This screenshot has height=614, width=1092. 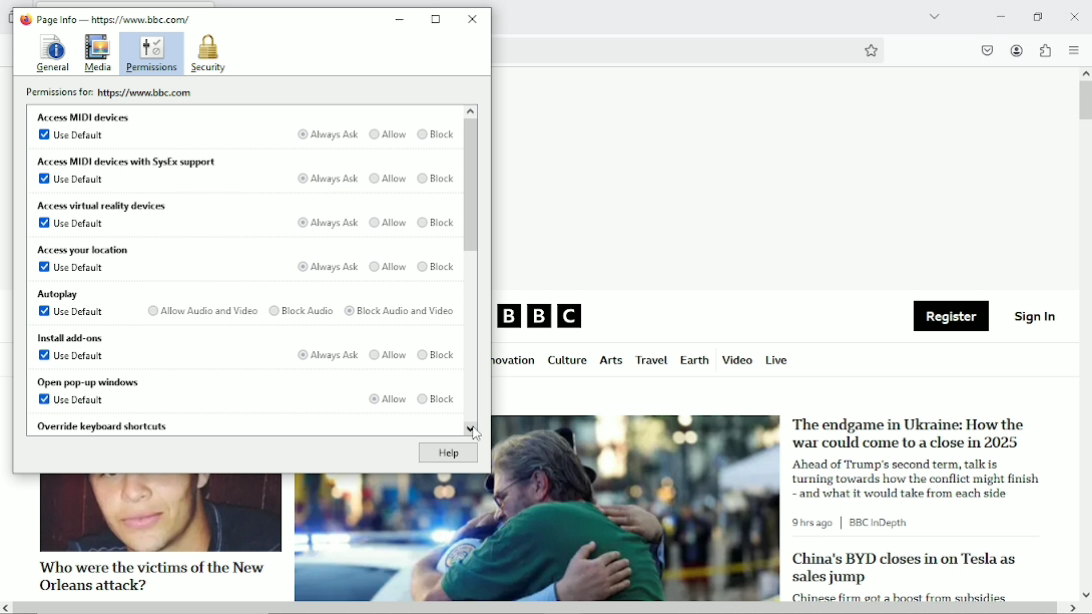 What do you see at coordinates (437, 400) in the screenshot?
I see `Block` at bounding box center [437, 400].